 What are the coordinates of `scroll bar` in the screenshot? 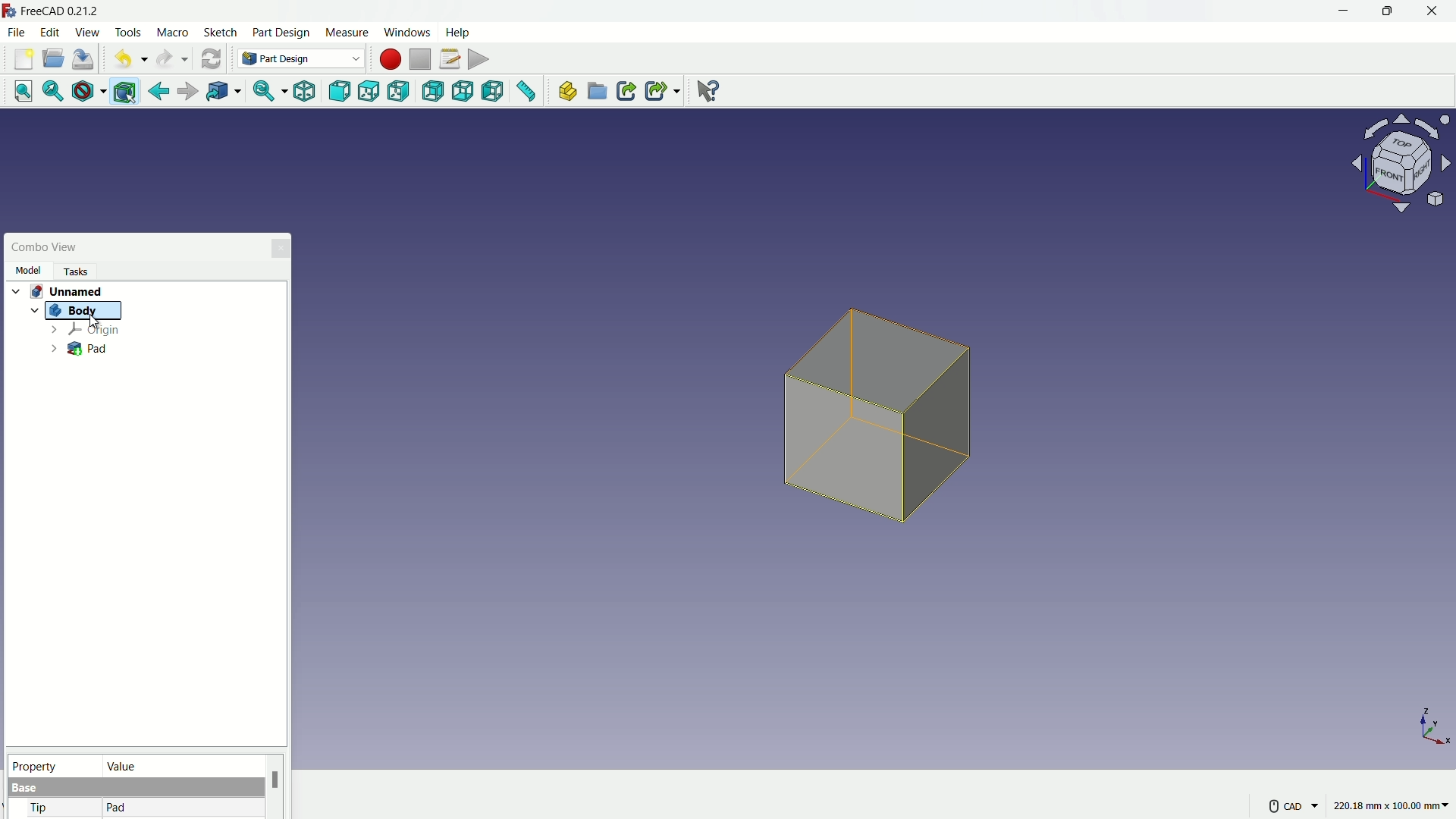 It's located at (275, 786).